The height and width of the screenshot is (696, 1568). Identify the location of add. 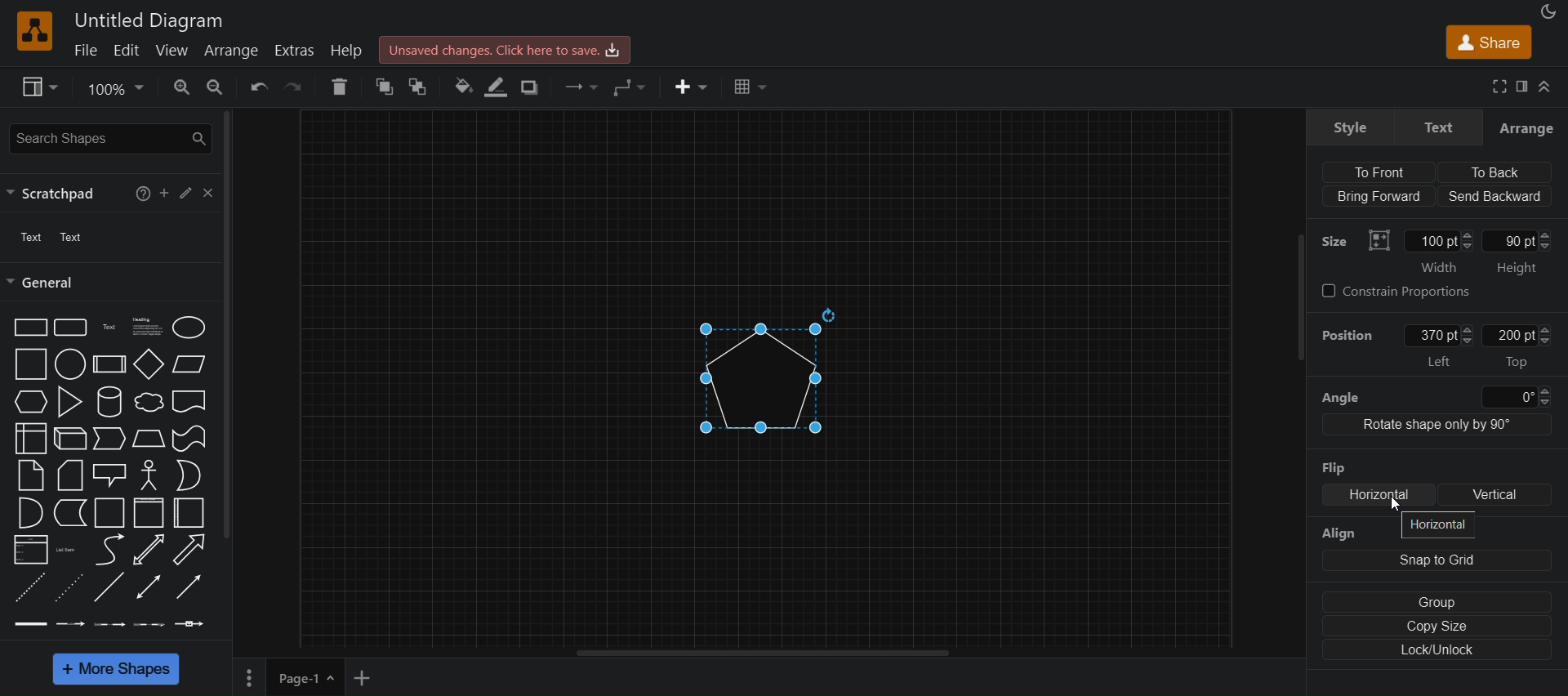
(164, 193).